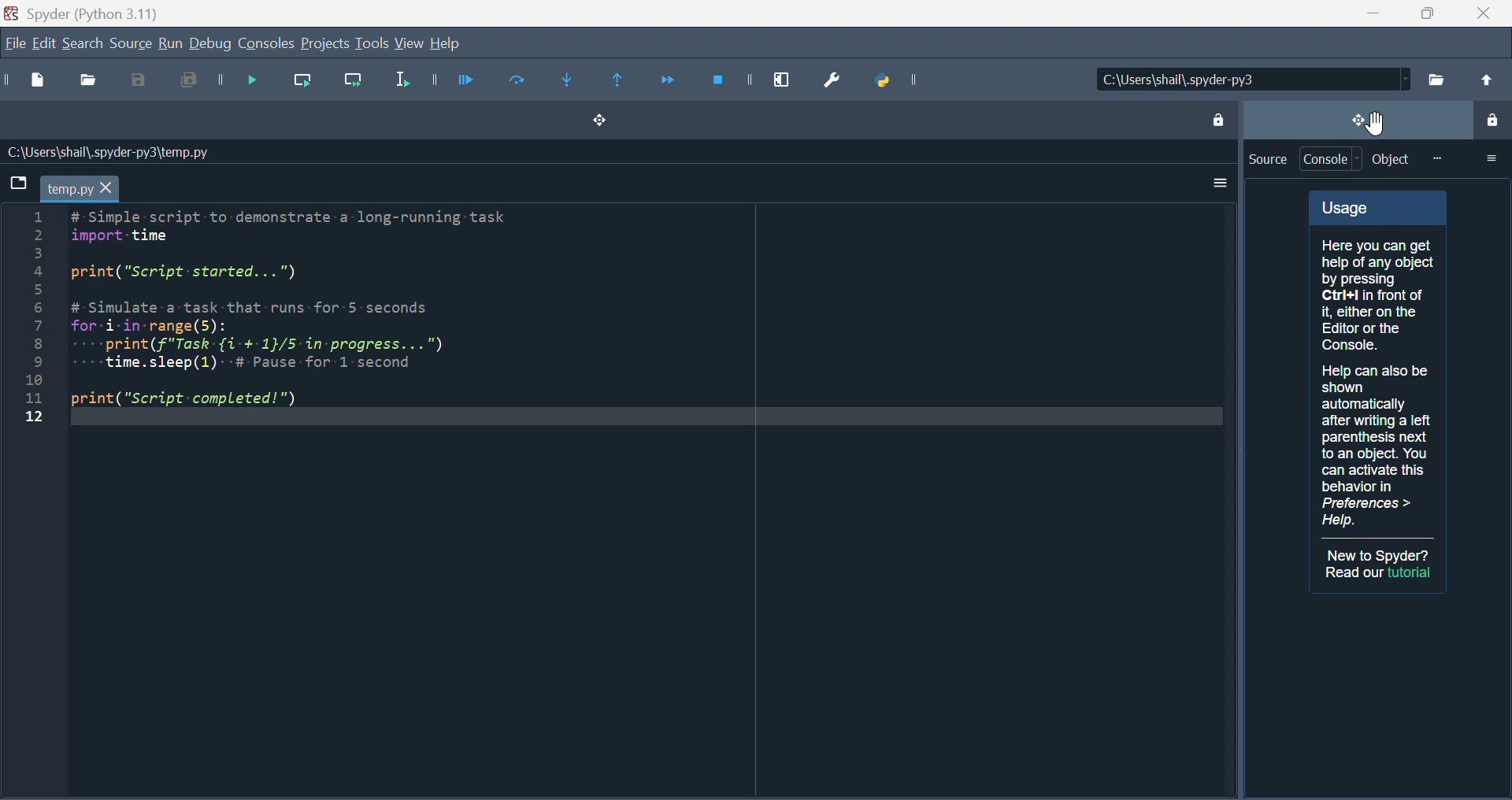 Image resolution: width=1512 pixels, height=800 pixels. I want to click on Step into function, so click(575, 83).